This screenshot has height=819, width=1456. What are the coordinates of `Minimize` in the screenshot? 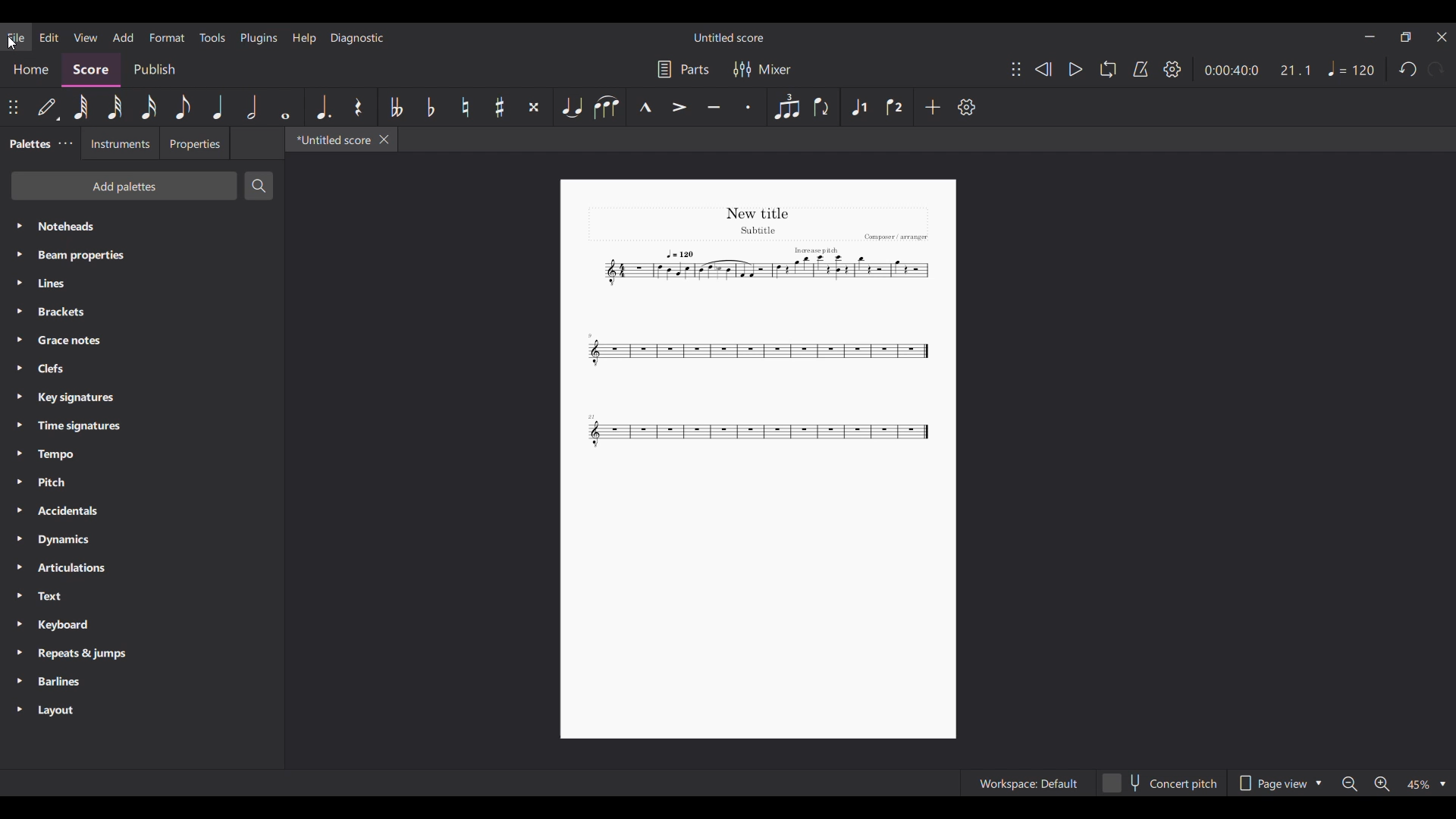 It's located at (1370, 36).